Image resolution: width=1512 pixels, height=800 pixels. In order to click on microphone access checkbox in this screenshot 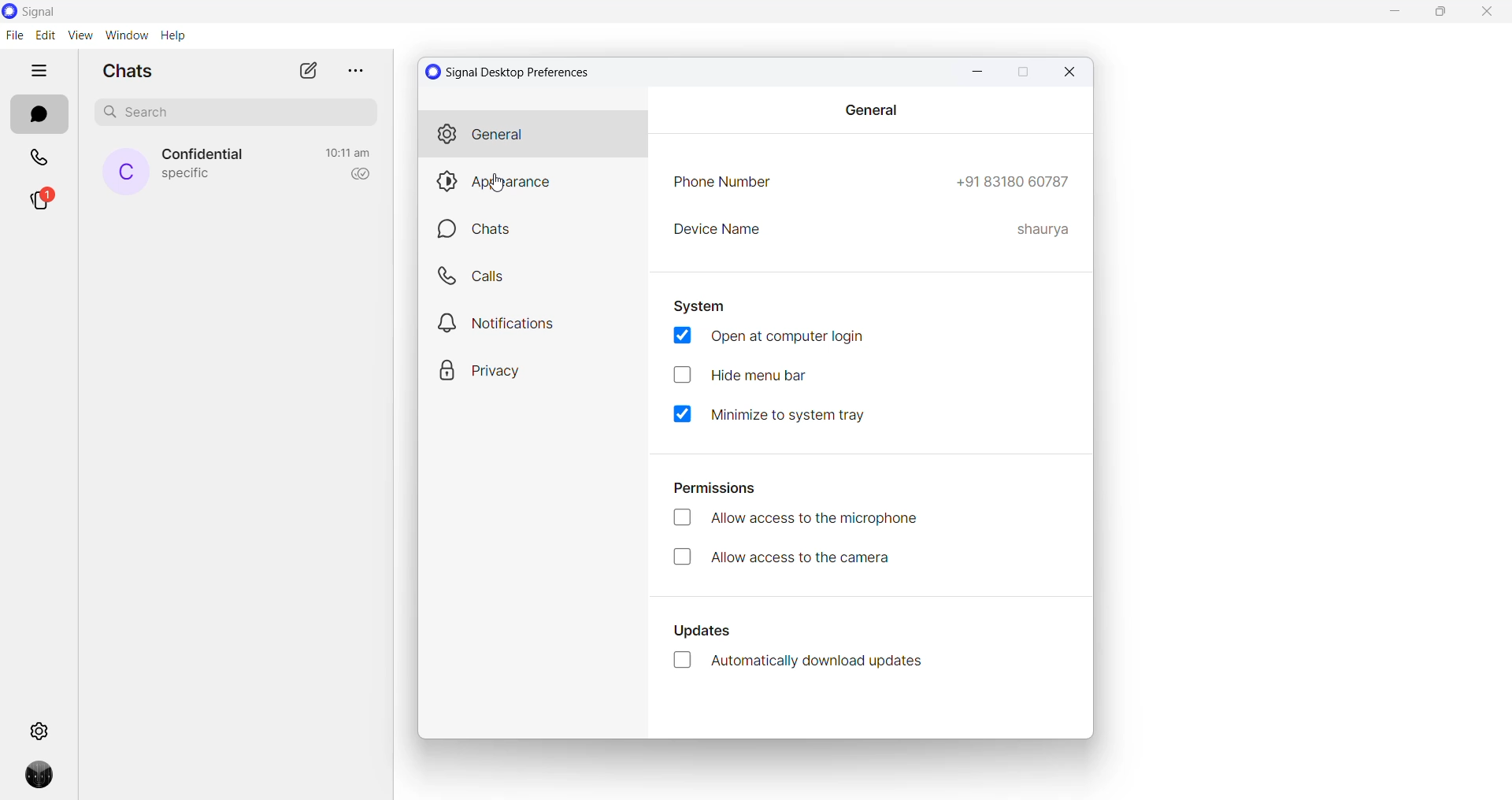, I will do `click(799, 522)`.